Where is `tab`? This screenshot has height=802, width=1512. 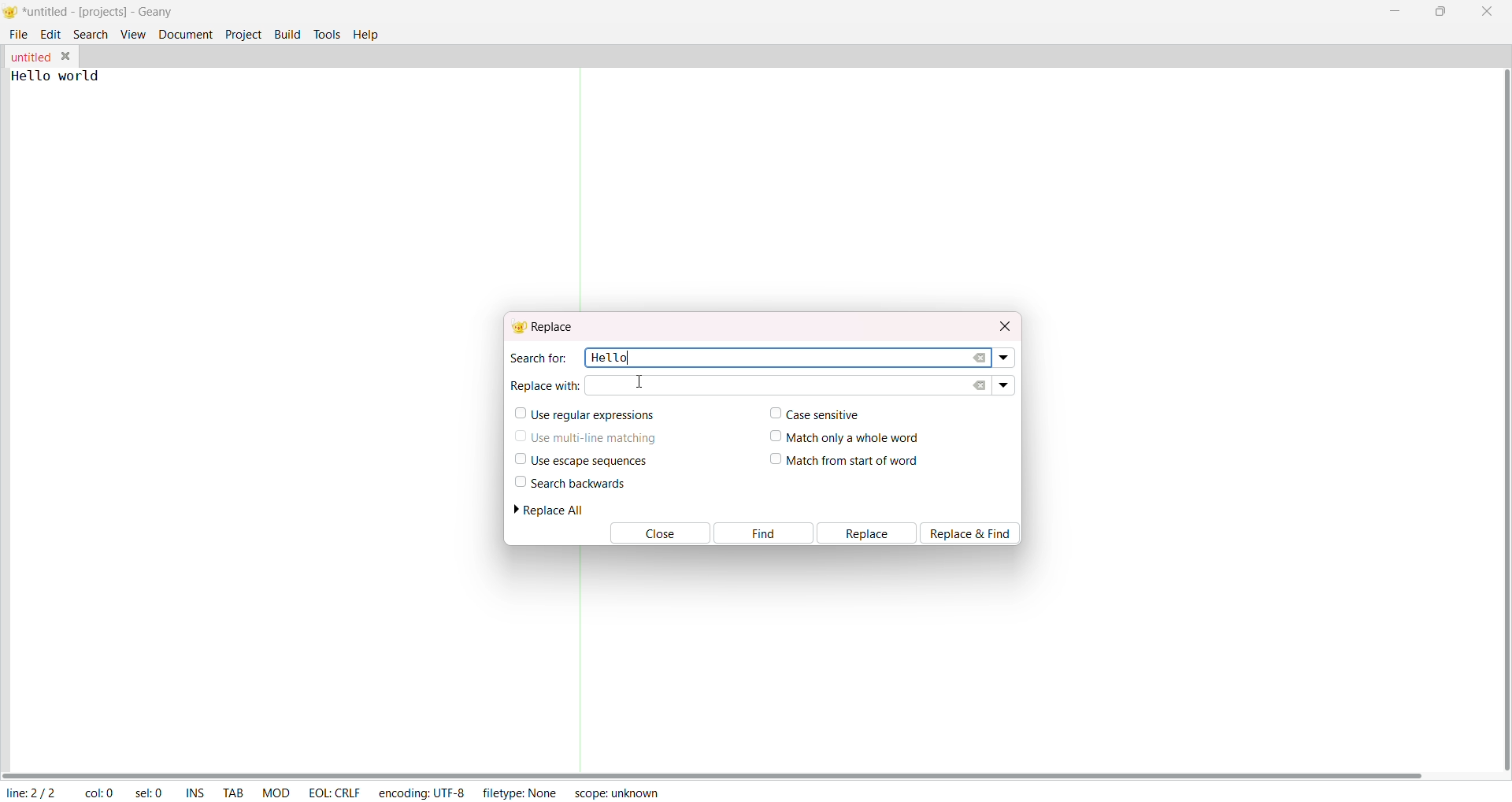
tab is located at coordinates (234, 794).